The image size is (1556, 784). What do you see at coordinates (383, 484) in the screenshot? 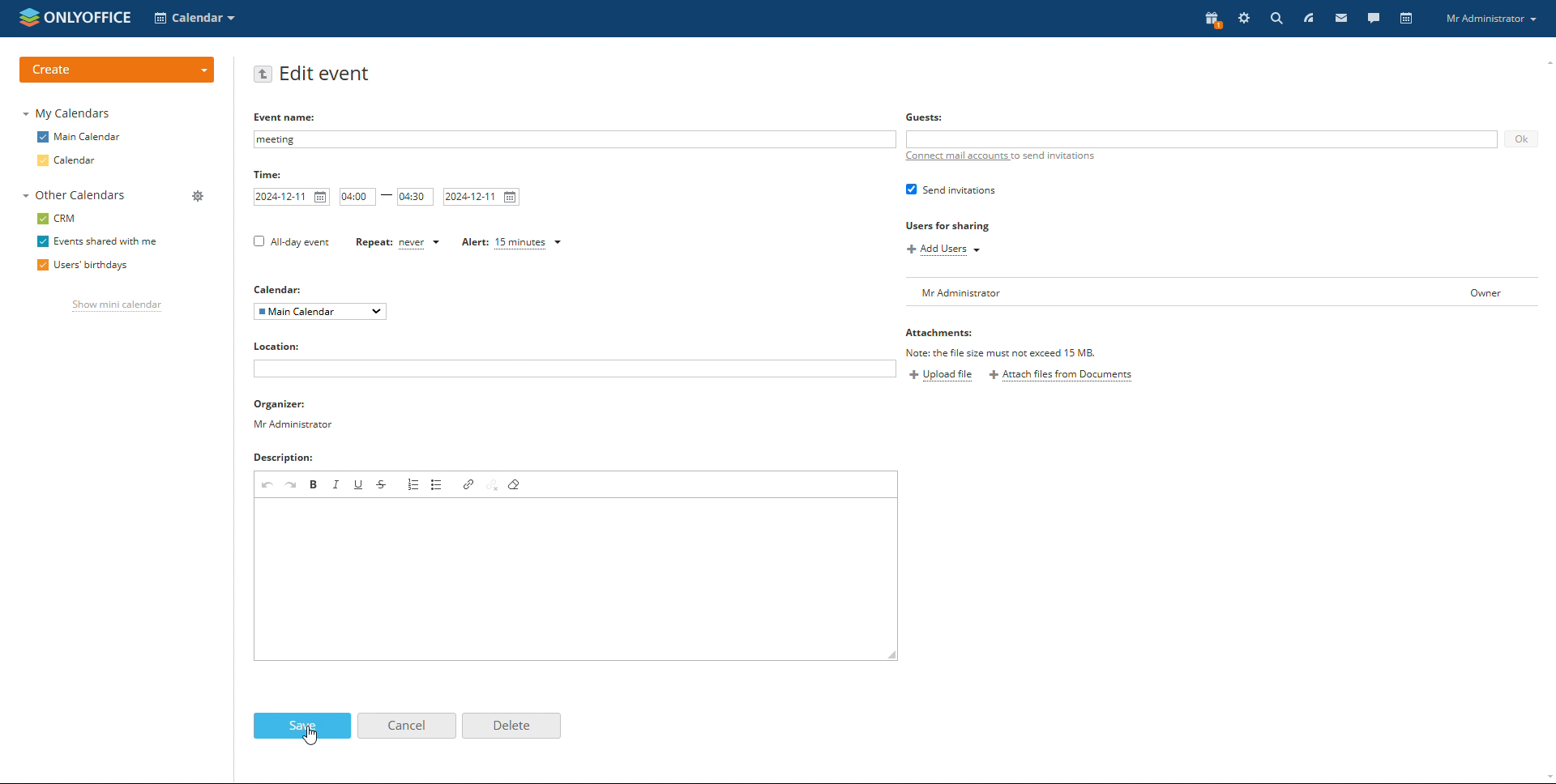
I see `strikethrough` at bounding box center [383, 484].